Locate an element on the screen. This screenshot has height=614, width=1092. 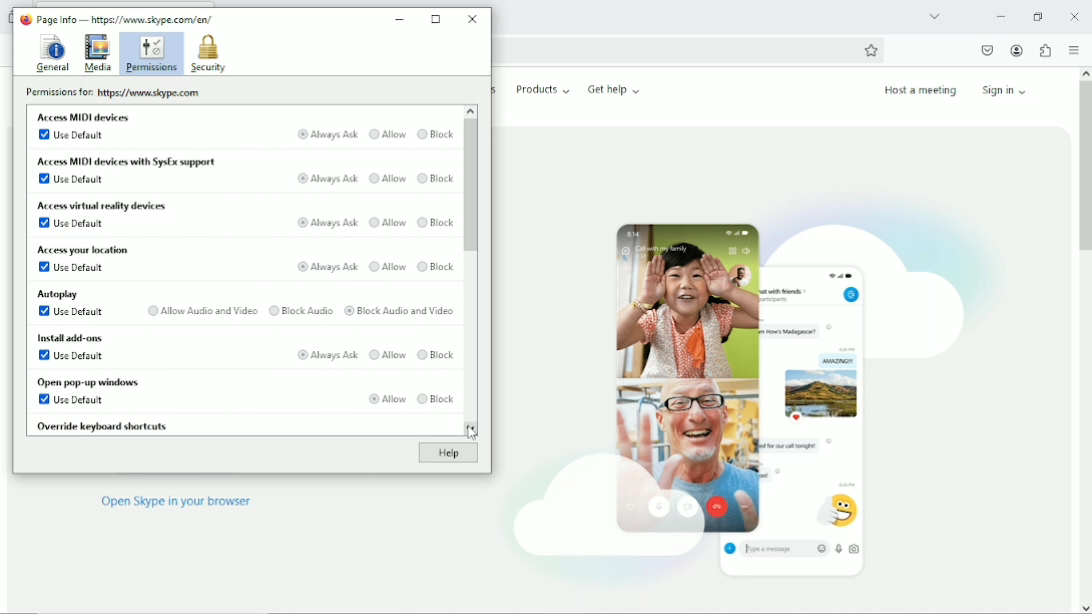
Use default is located at coordinates (72, 180).